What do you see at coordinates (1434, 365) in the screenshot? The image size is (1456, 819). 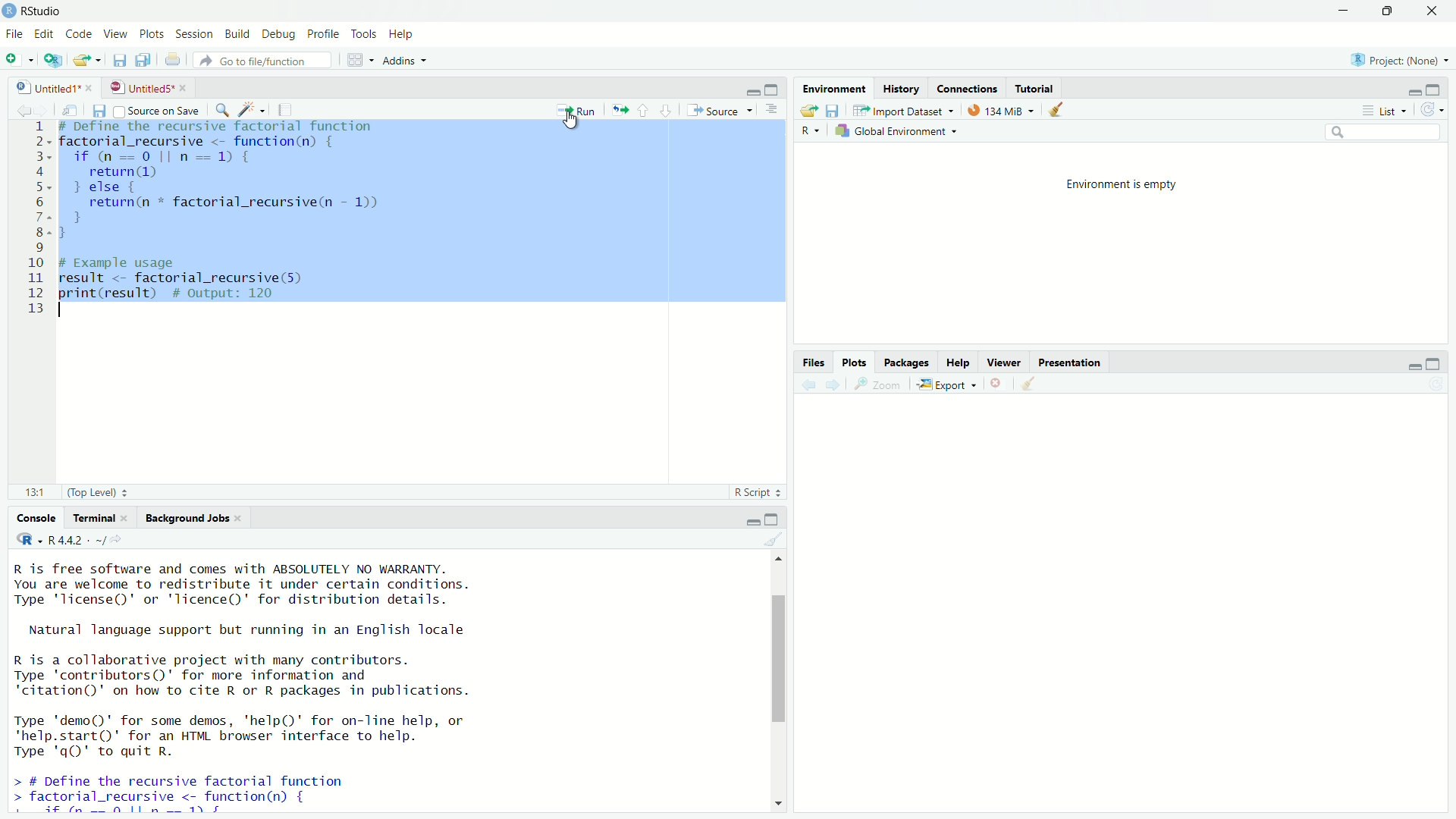 I see `Maximize` at bounding box center [1434, 365].